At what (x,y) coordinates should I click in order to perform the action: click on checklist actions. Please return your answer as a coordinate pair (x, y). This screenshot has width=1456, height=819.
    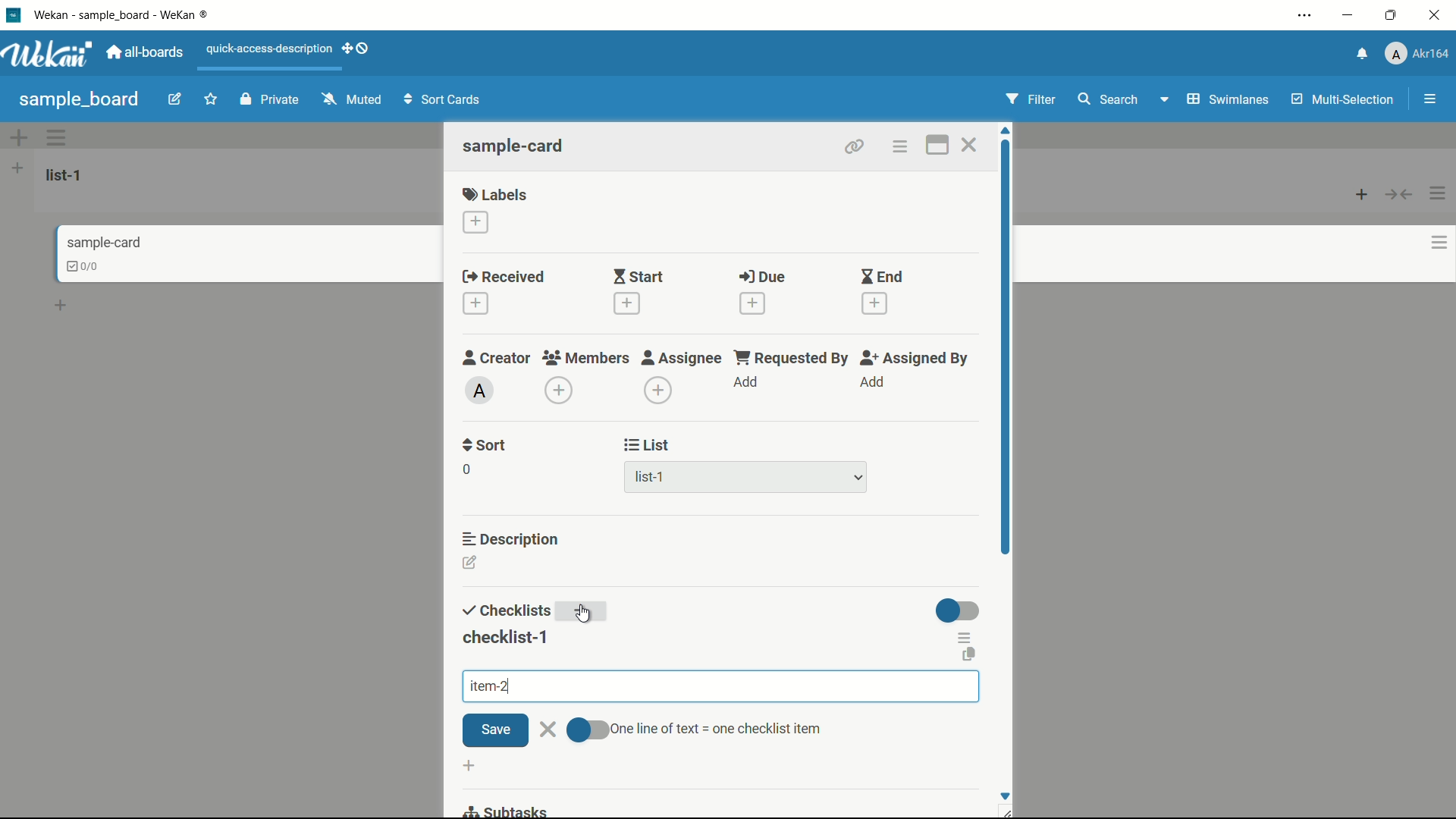
    Looking at the image, I should click on (965, 637).